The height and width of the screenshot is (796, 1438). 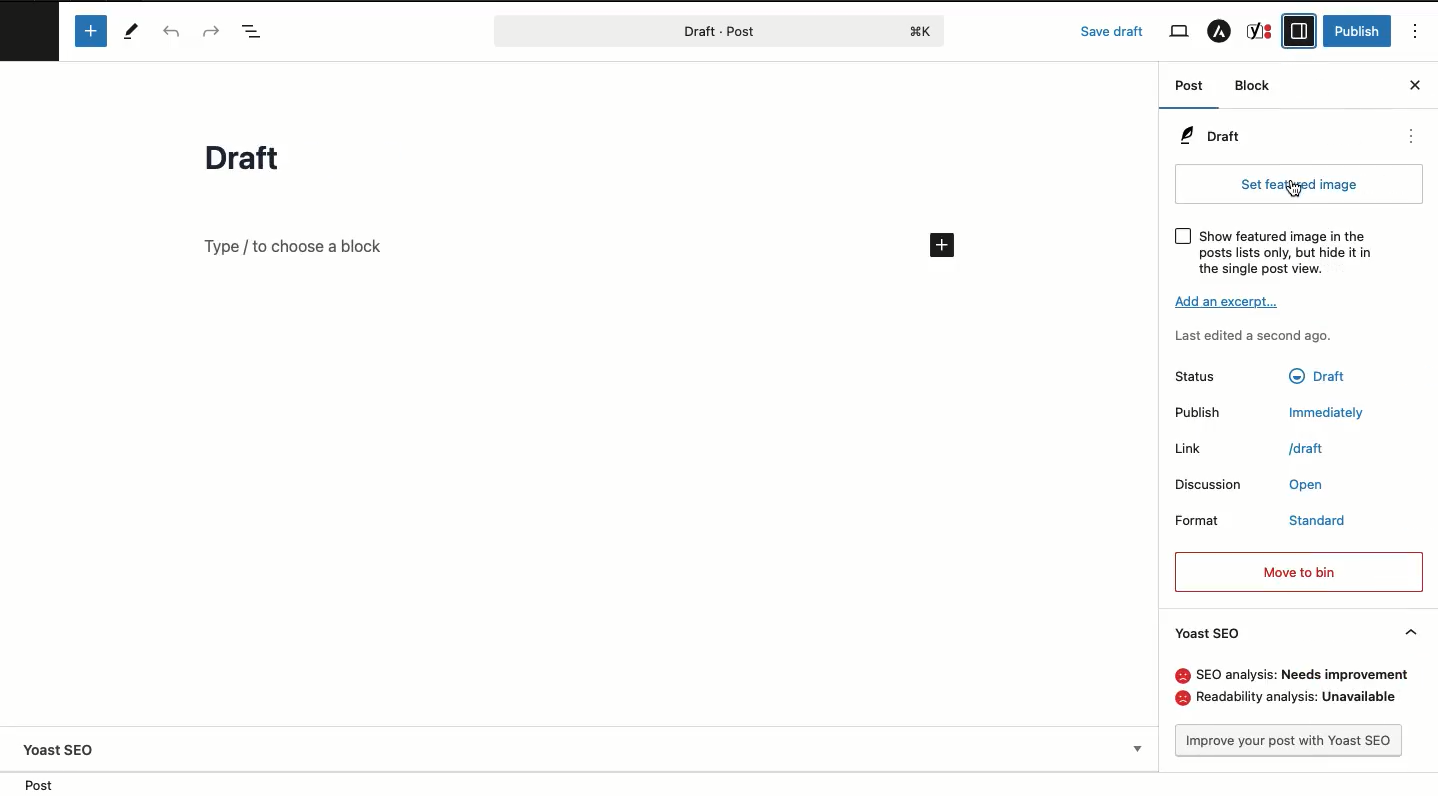 I want to click on Post, so click(x=676, y=31).